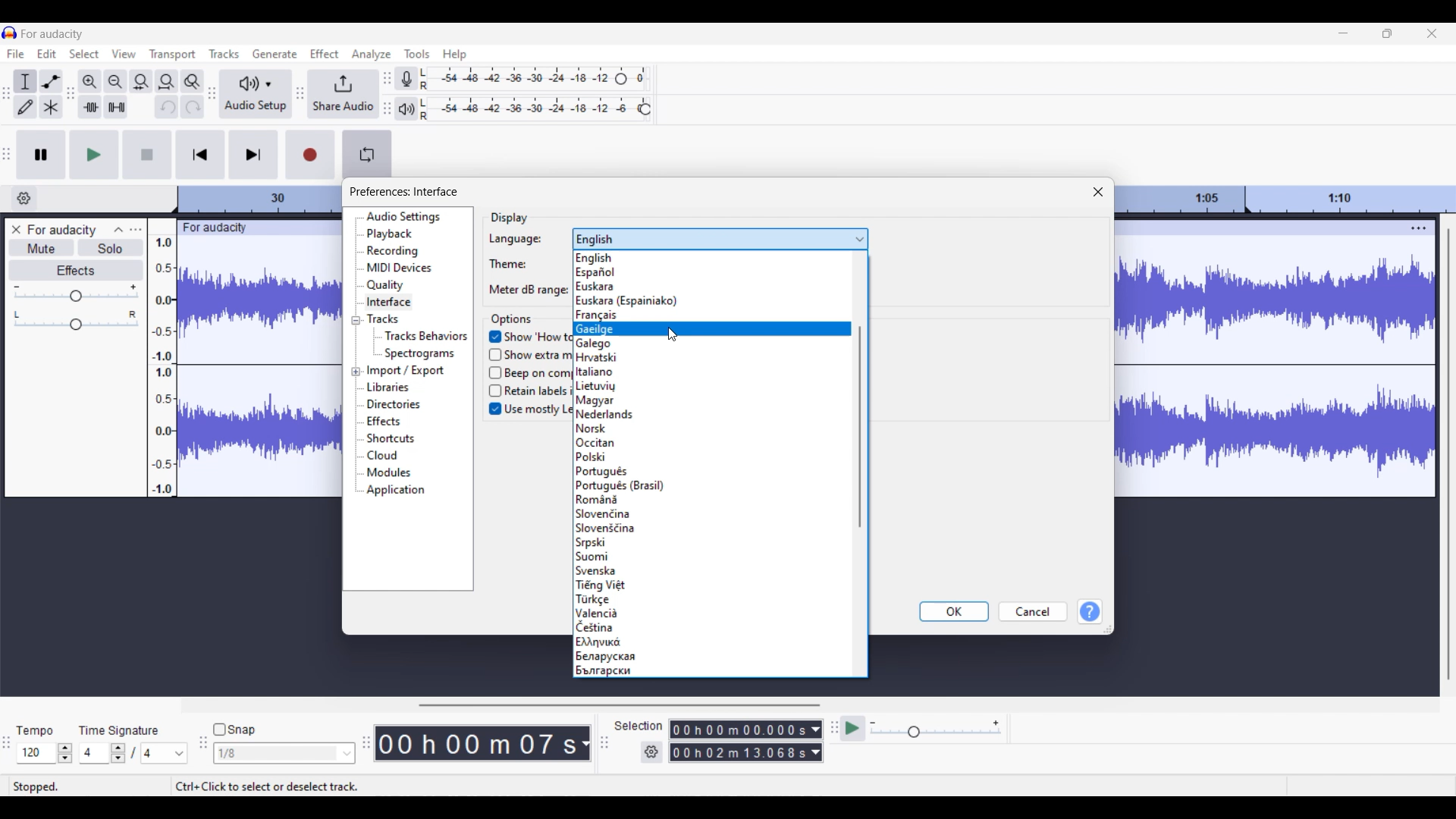  I want to click on MIDI devices, so click(400, 268).